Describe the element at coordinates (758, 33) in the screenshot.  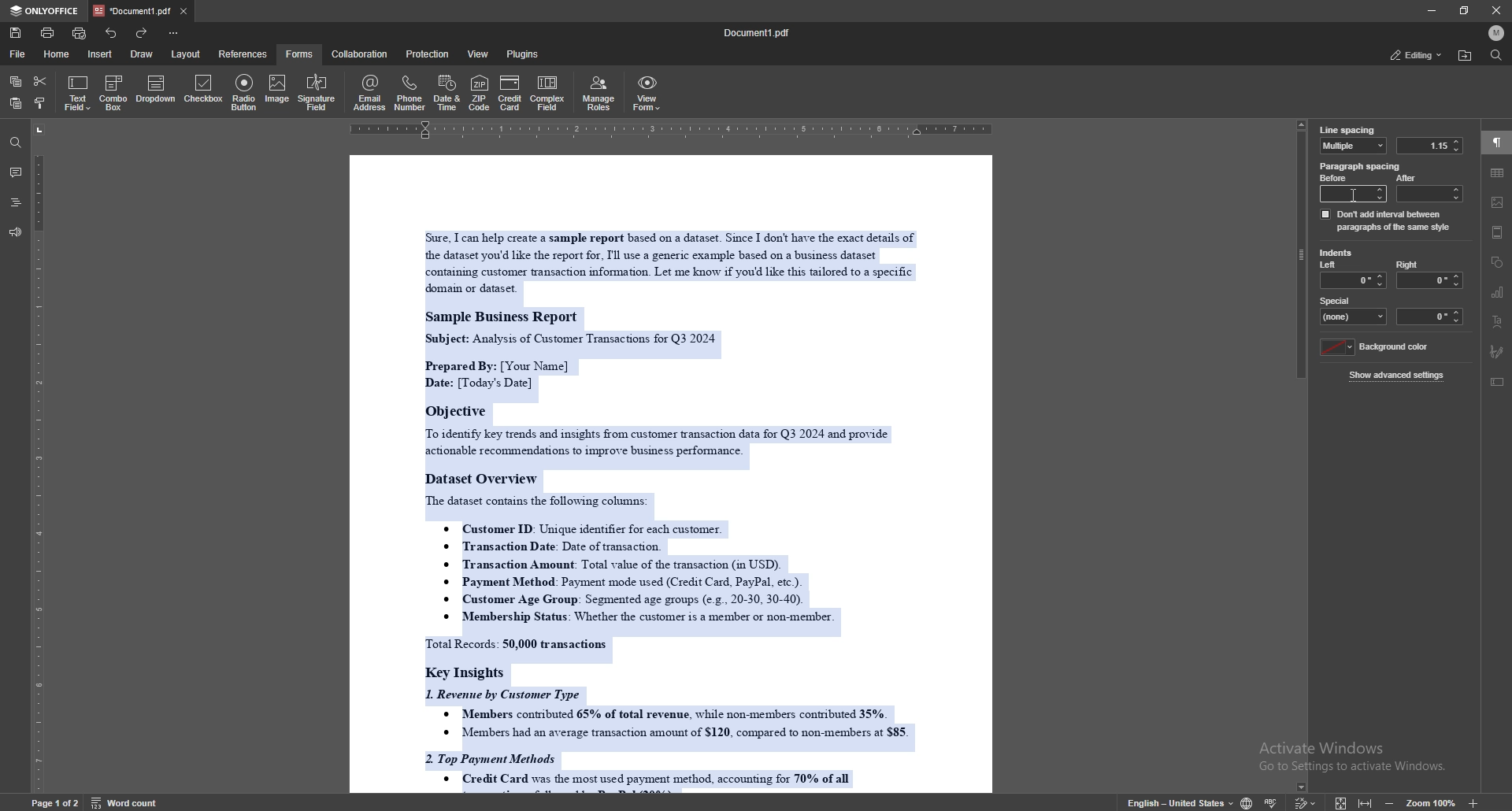
I see `file name` at that location.